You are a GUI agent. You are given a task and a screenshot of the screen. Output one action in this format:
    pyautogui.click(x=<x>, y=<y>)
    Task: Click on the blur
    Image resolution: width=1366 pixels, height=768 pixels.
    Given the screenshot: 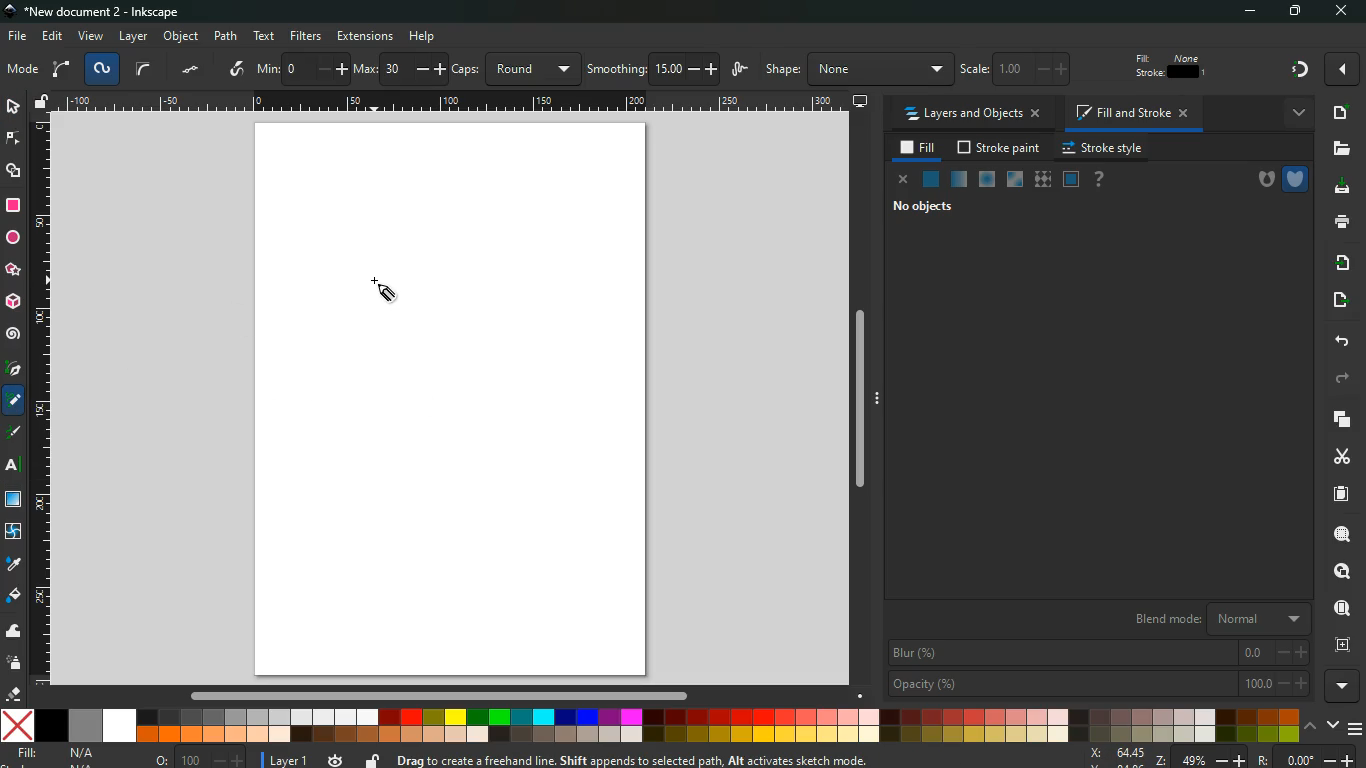 What is the action you would take?
    pyautogui.click(x=1098, y=651)
    